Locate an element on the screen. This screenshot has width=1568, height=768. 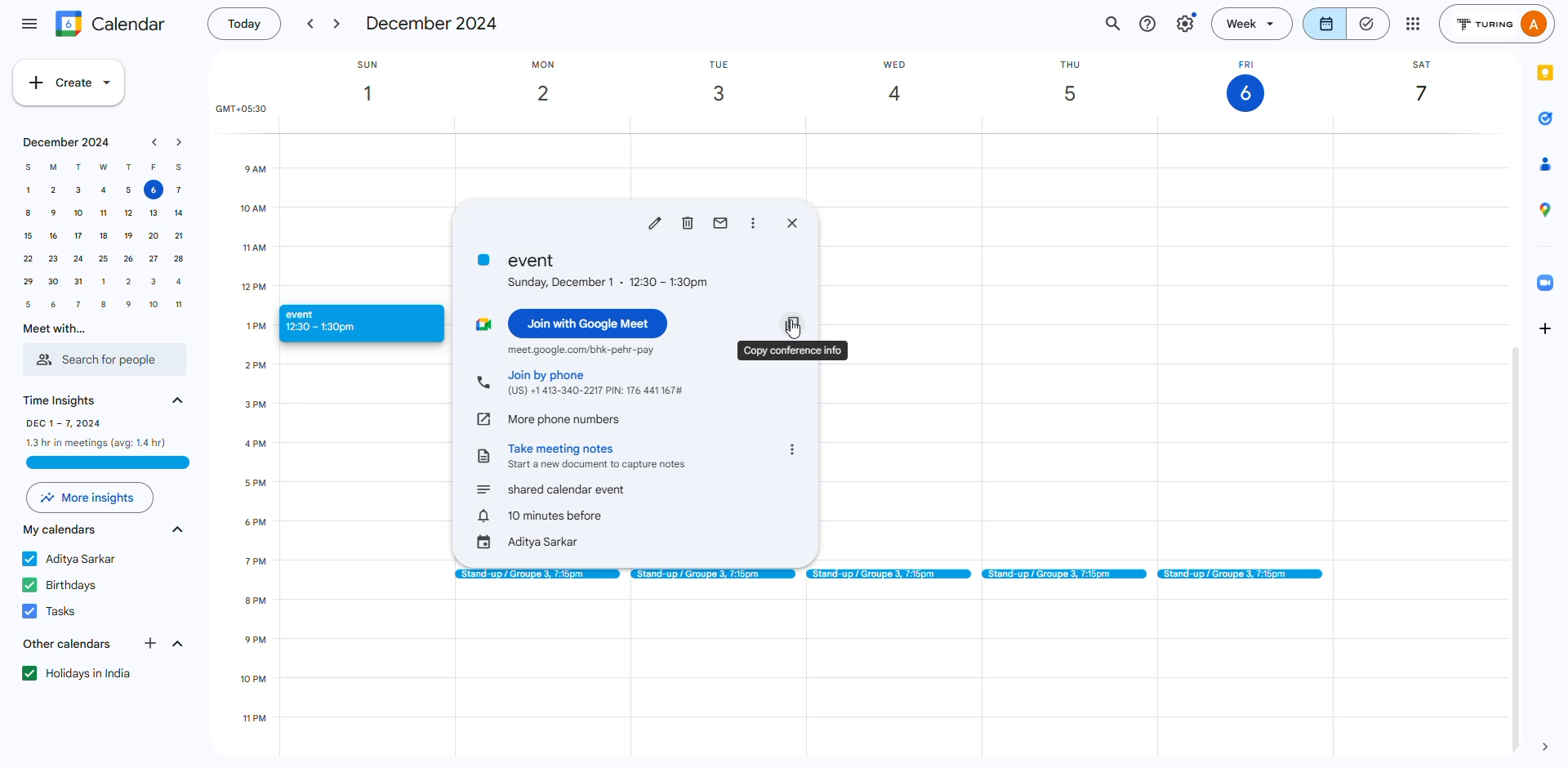
12 is located at coordinates (125, 213).